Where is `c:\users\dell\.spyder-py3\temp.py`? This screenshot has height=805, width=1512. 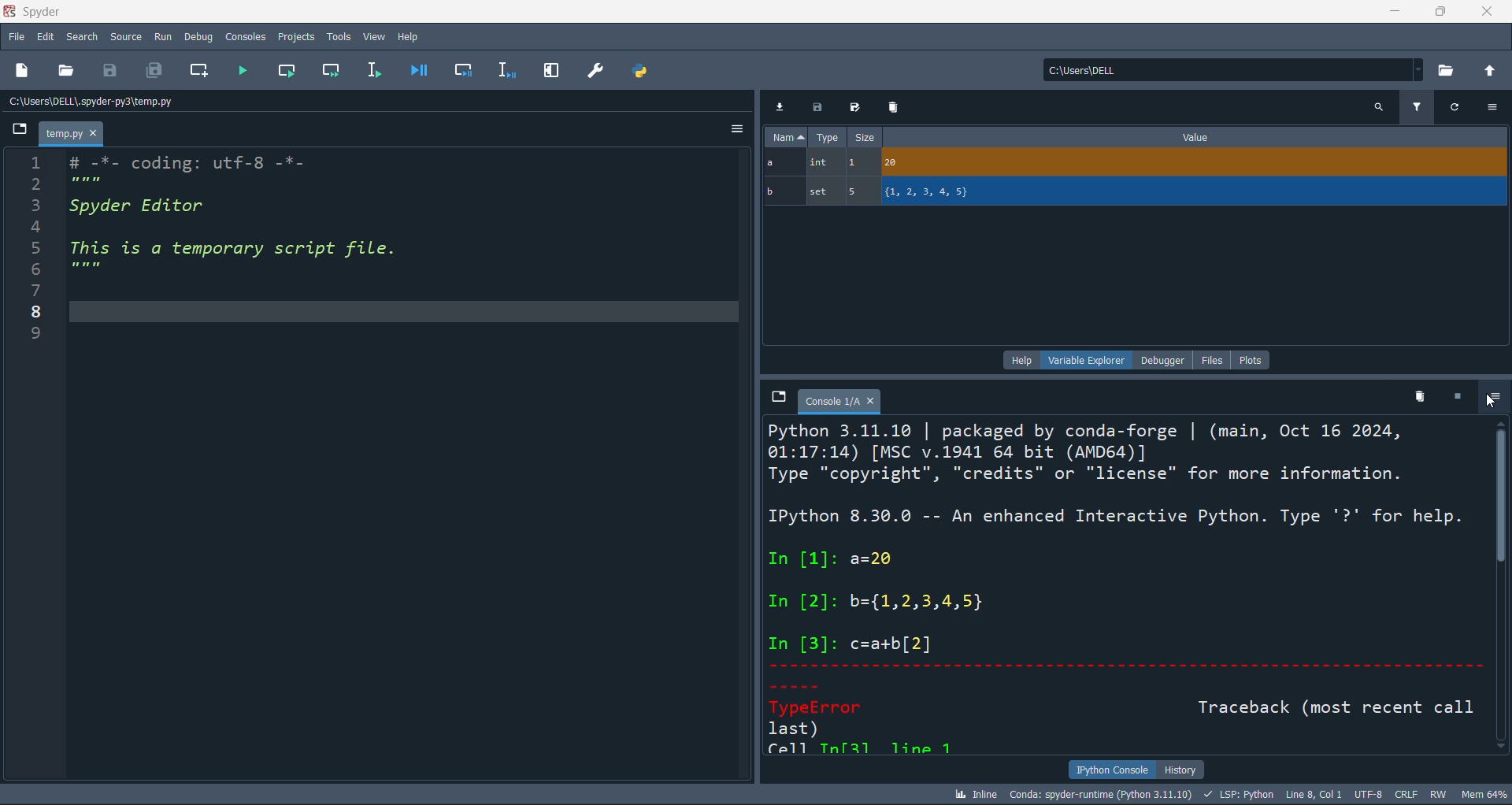
c:\users\dell\.spyder-py3\temp.py is located at coordinates (135, 102).